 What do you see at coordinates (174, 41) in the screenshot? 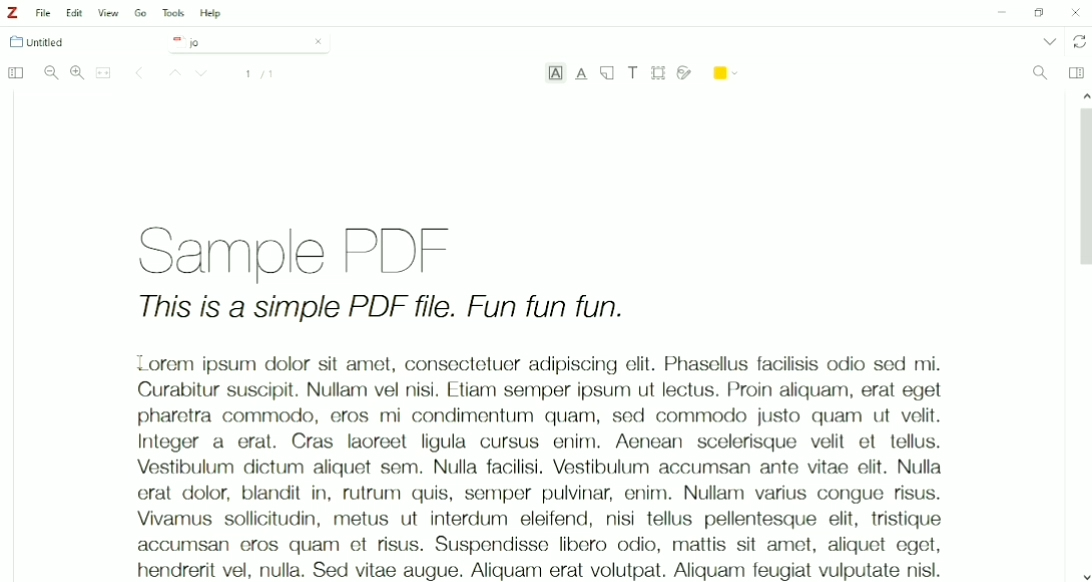
I see `pdf logo` at bounding box center [174, 41].